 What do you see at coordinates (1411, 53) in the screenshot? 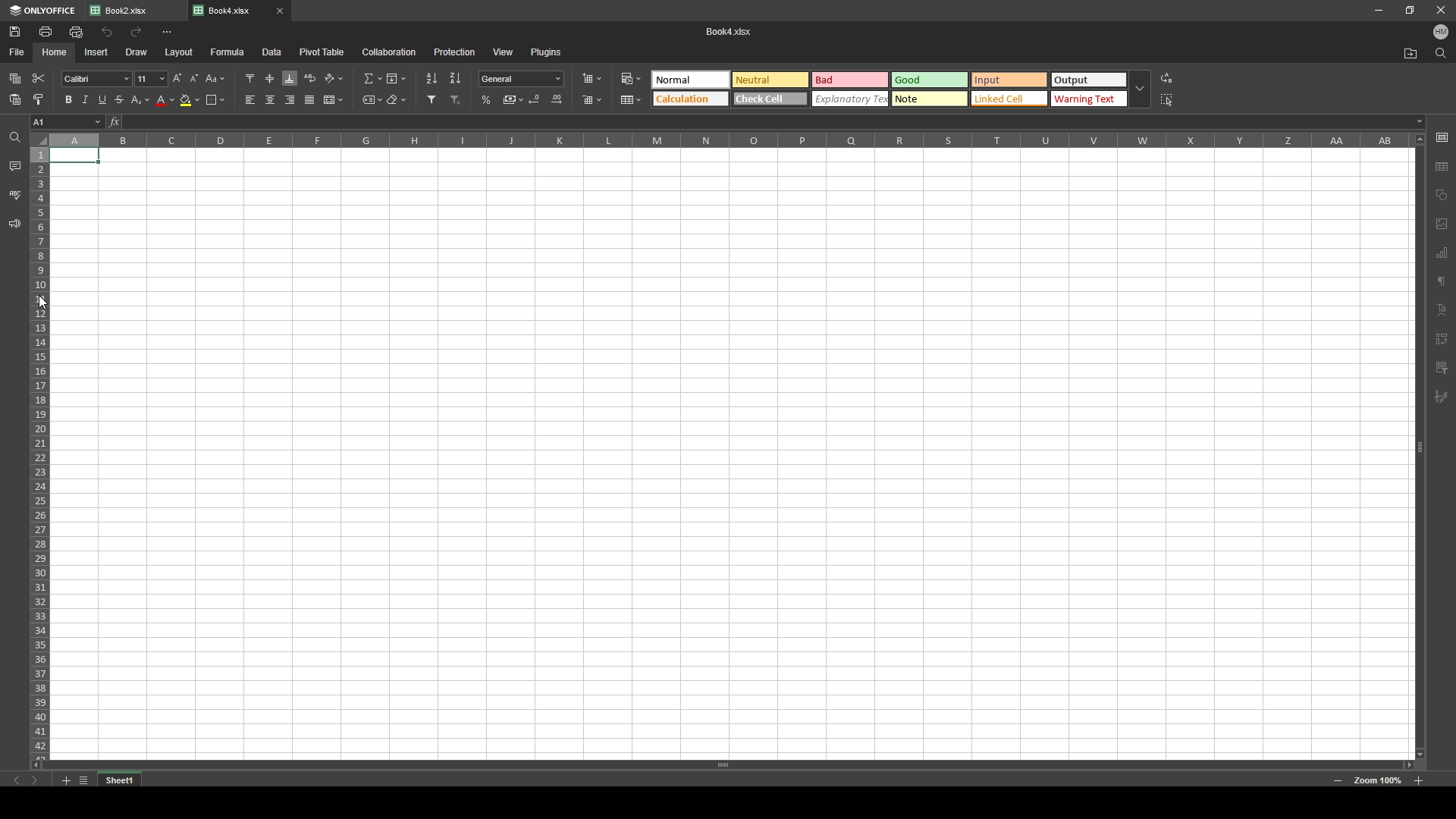
I see `locate file` at bounding box center [1411, 53].